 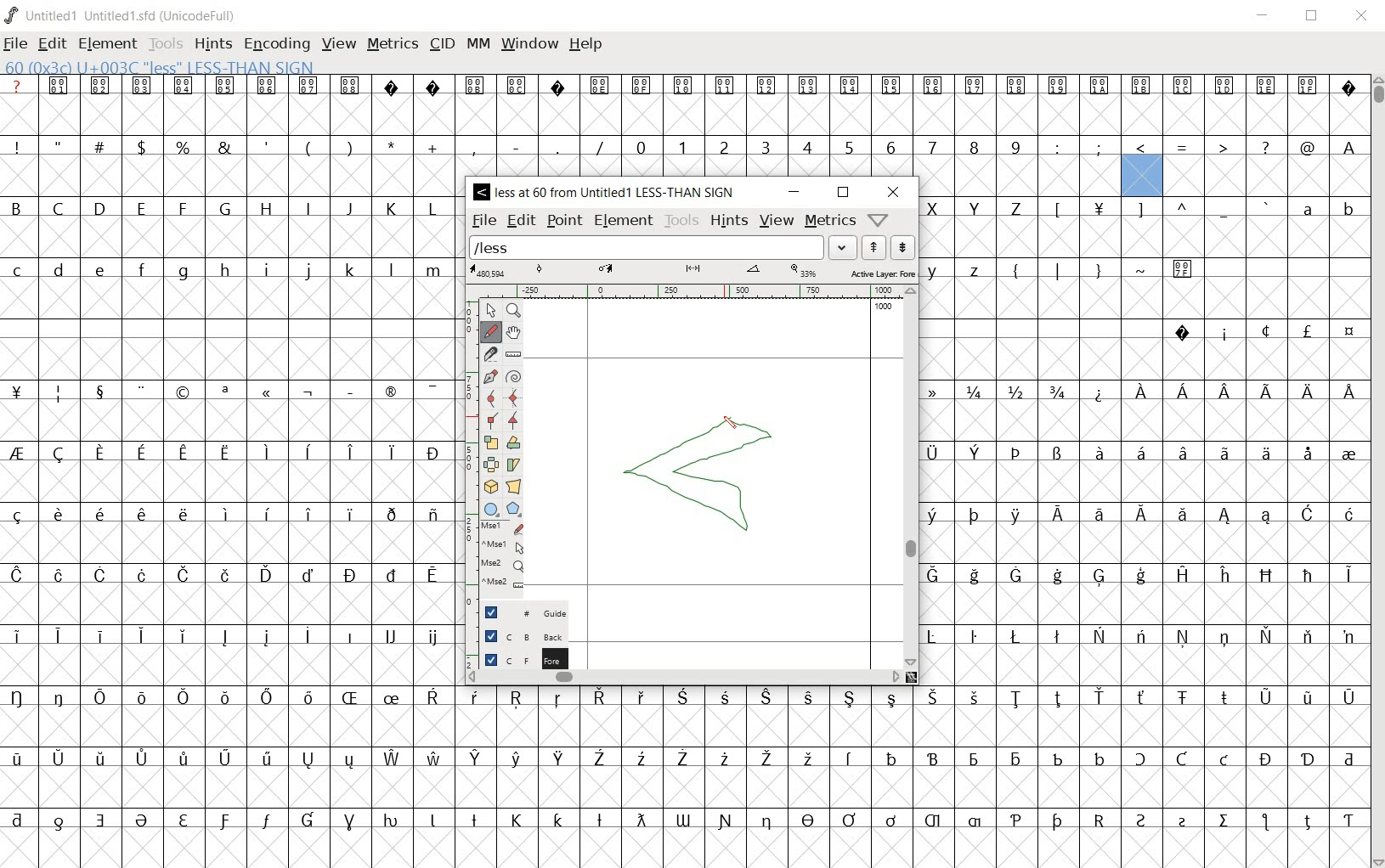 What do you see at coordinates (586, 45) in the screenshot?
I see `help` at bounding box center [586, 45].